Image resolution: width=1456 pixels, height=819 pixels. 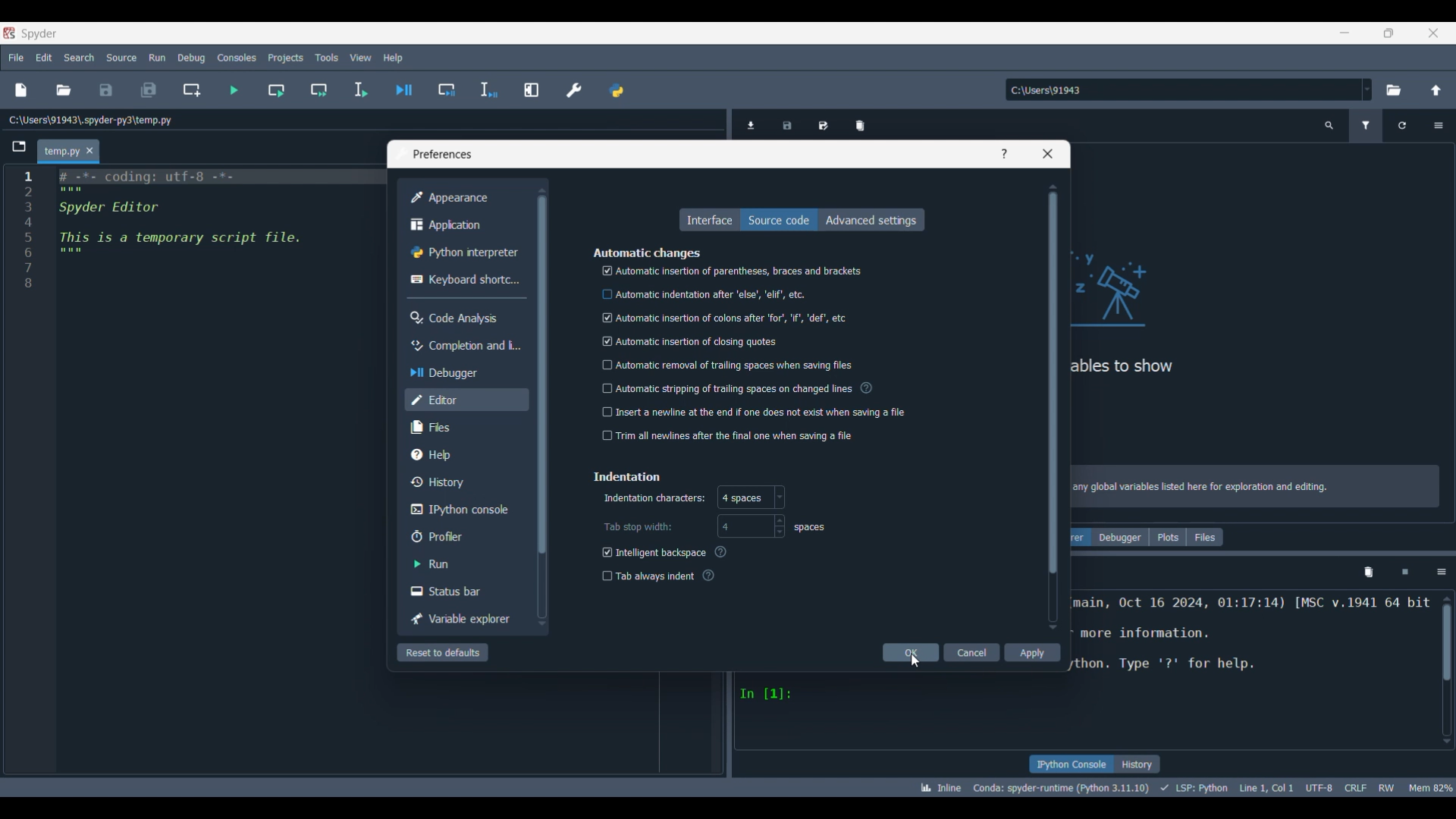 I want to click on Software logo, so click(x=9, y=33).